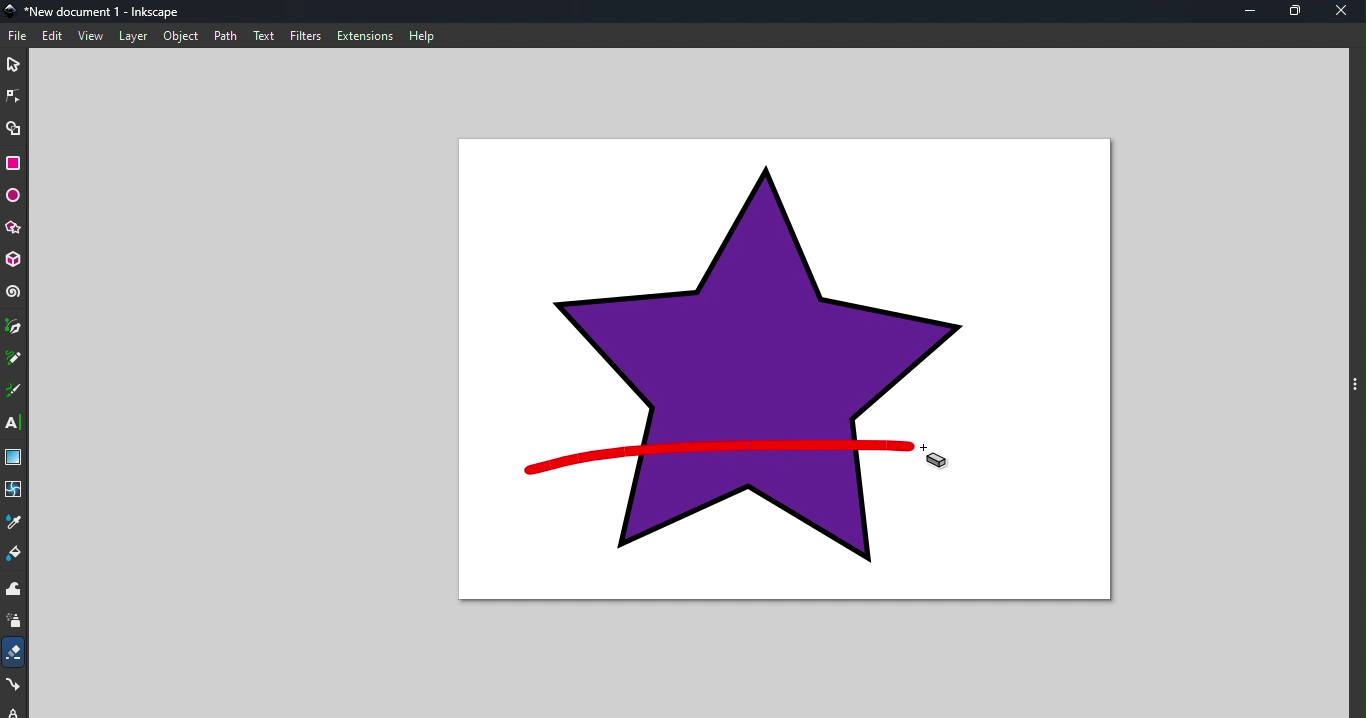  What do you see at coordinates (13, 457) in the screenshot?
I see `gradient tool` at bounding box center [13, 457].